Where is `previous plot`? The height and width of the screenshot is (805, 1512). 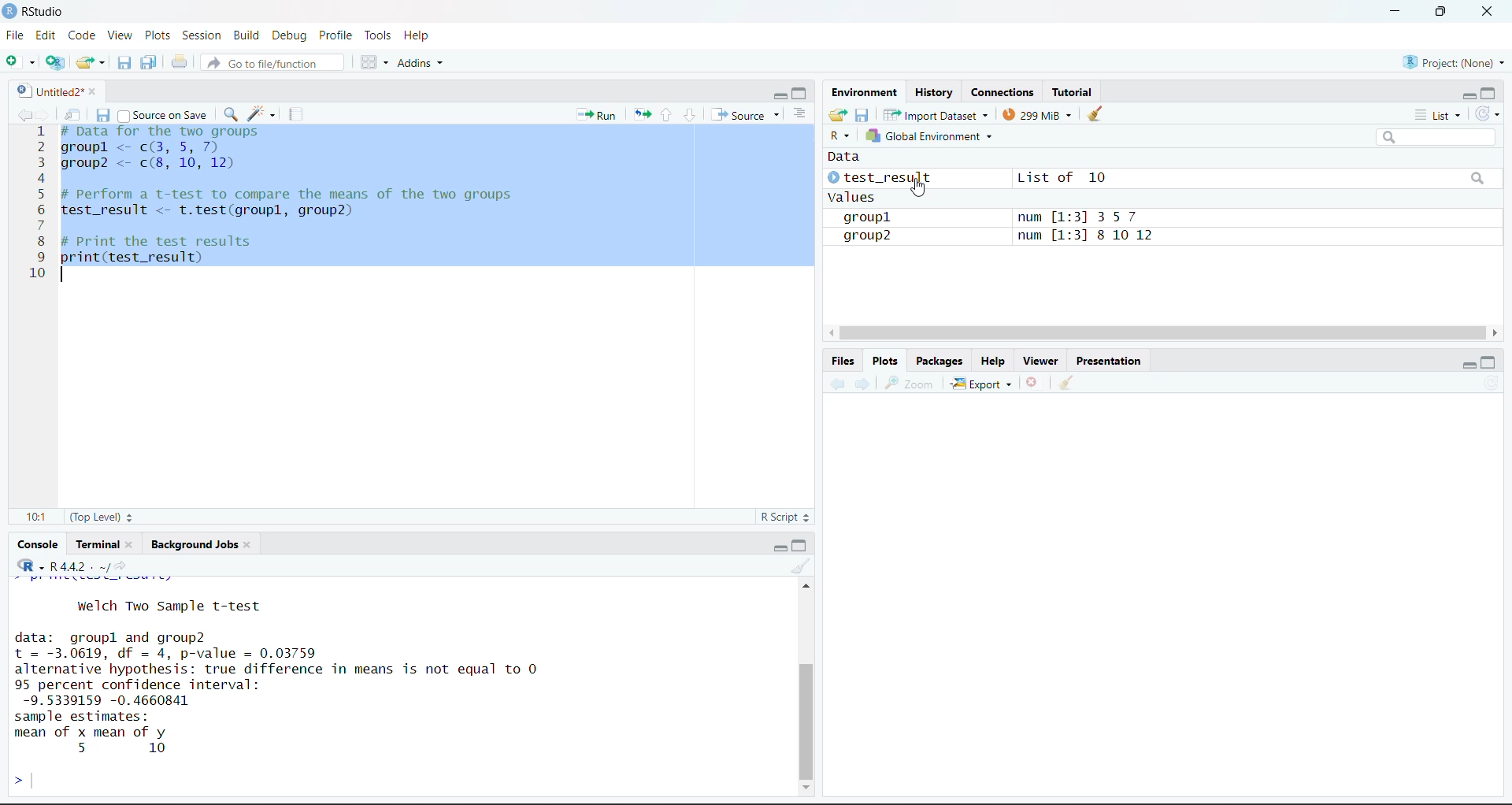 previous plot is located at coordinates (837, 381).